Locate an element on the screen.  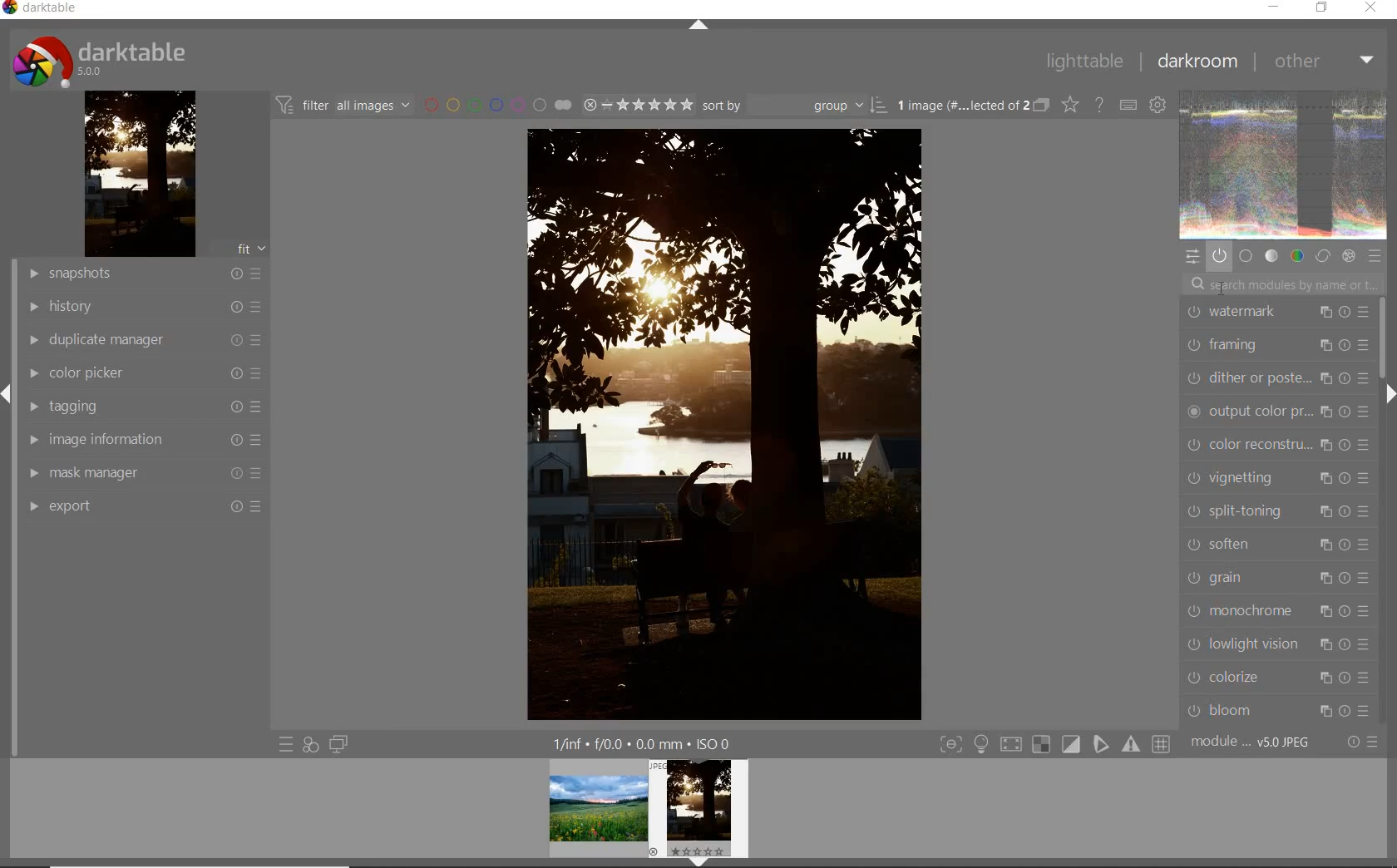
enable for online help is located at coordinates (1102, 106).